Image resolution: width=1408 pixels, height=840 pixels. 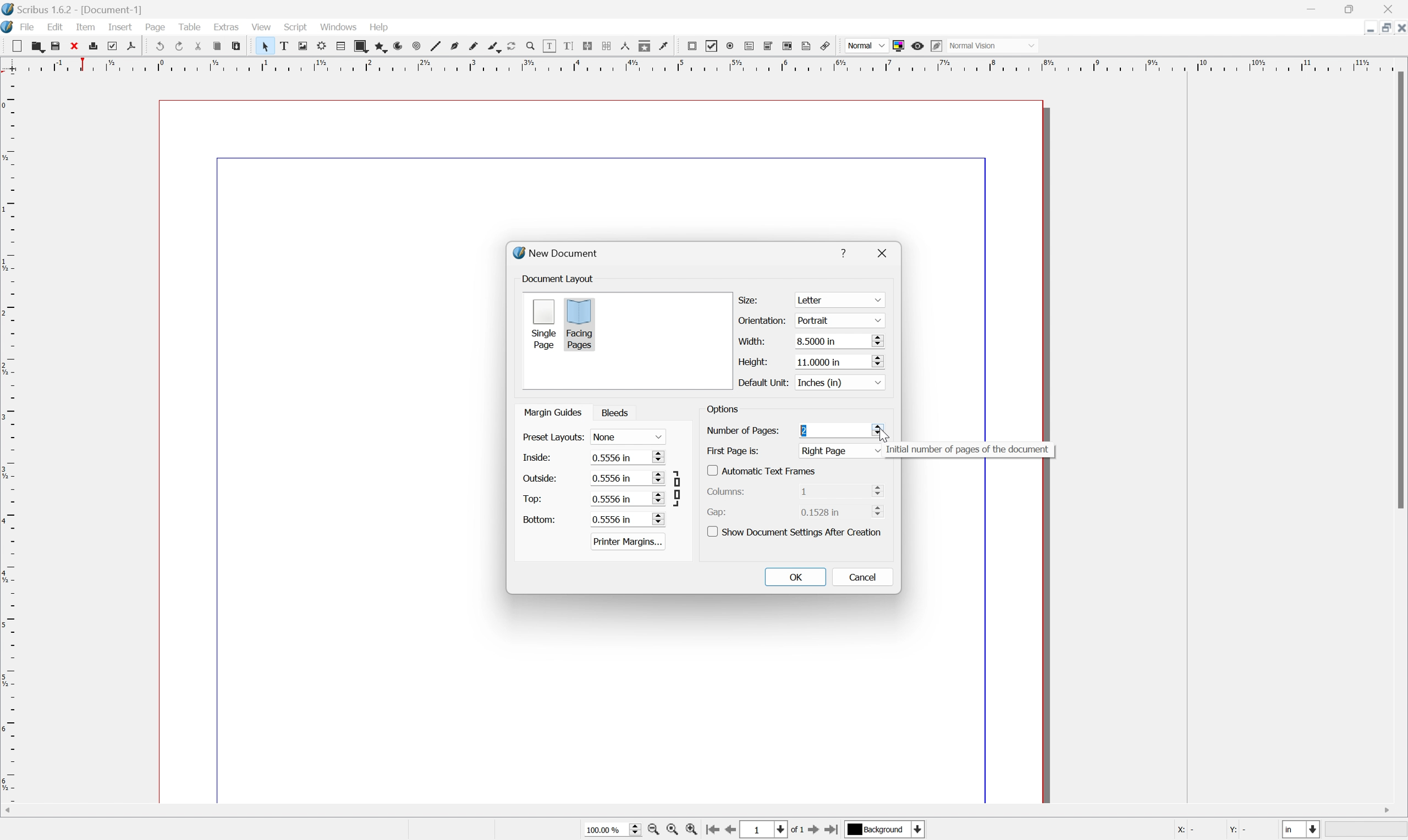 What do you see at coordinates (529, 44) in the screenshot?
I see `Zoom in or out` at bounding box center [529, 44].